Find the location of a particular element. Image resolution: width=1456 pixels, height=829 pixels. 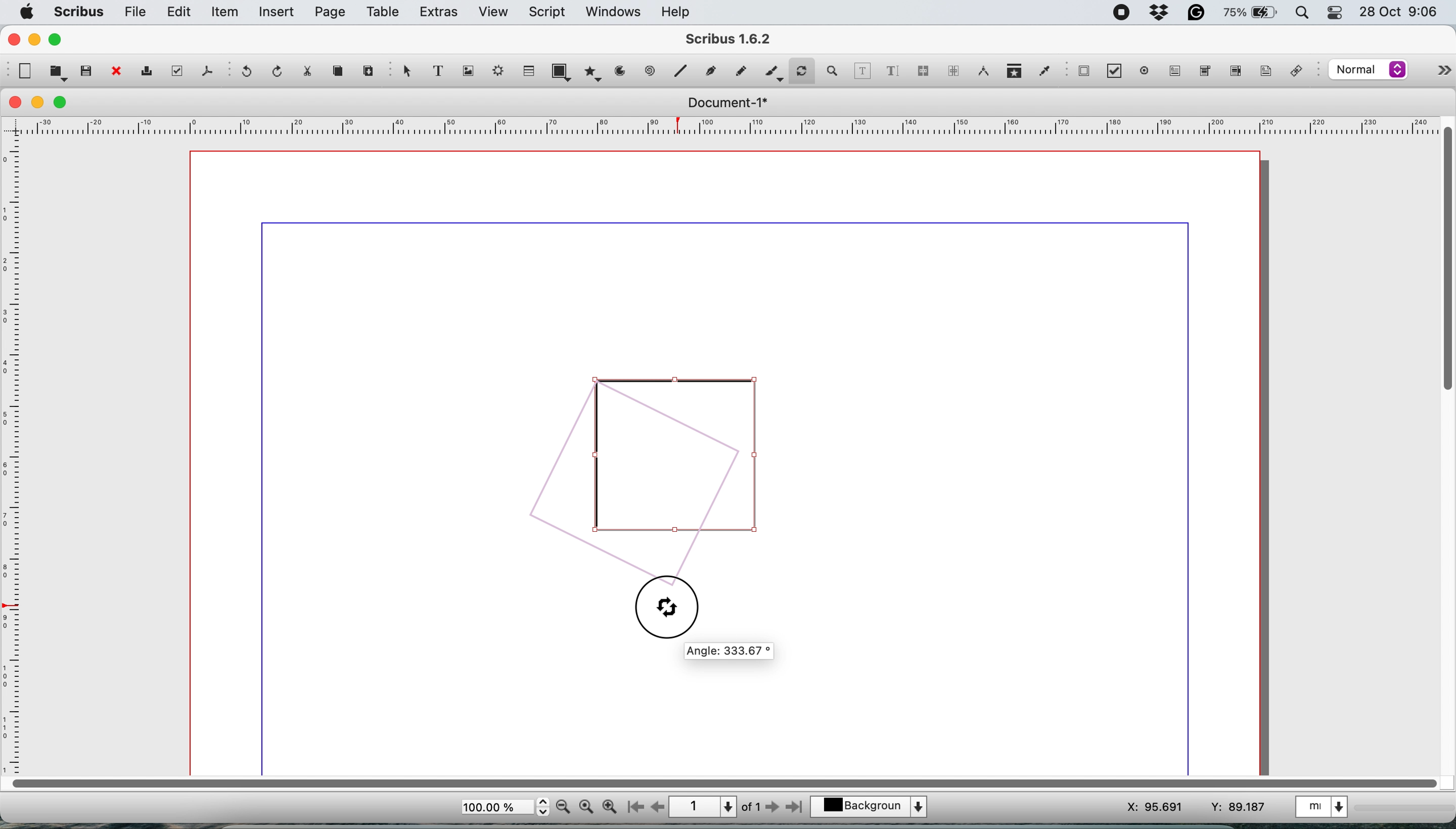

file is located at coordinates (136, 12).